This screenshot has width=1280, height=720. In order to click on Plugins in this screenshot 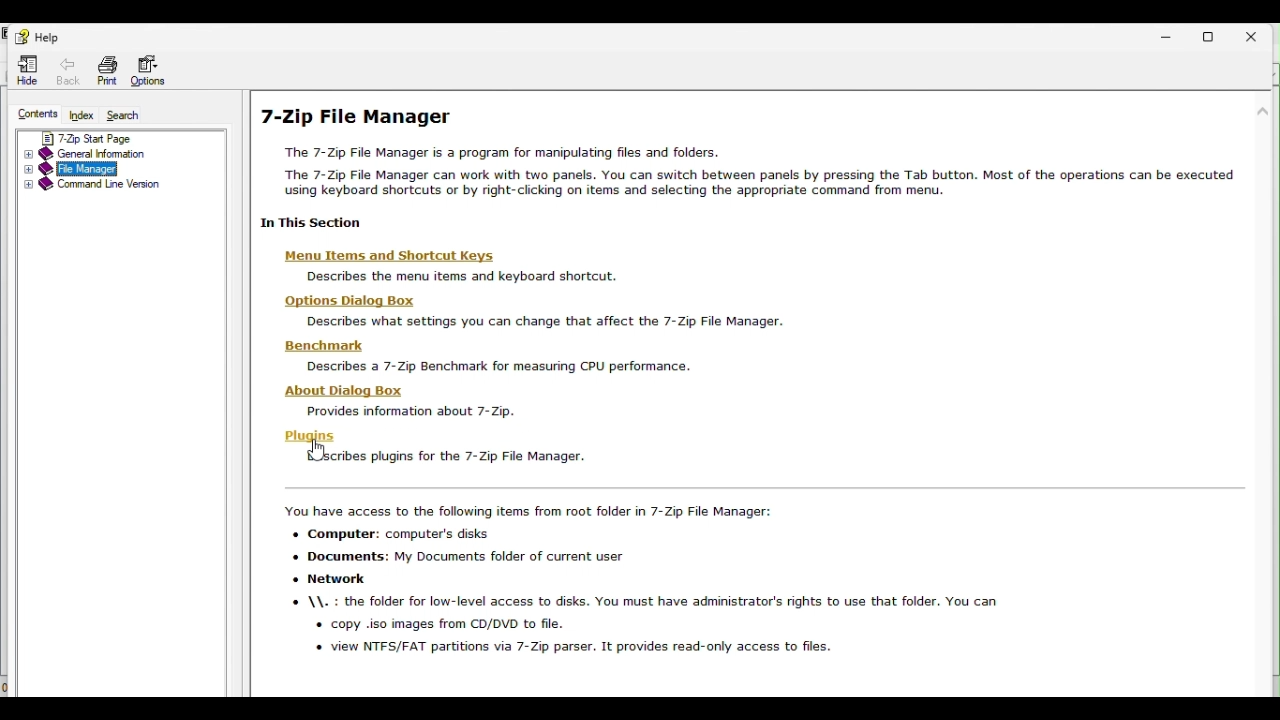, I will do `click(437, 457)`.